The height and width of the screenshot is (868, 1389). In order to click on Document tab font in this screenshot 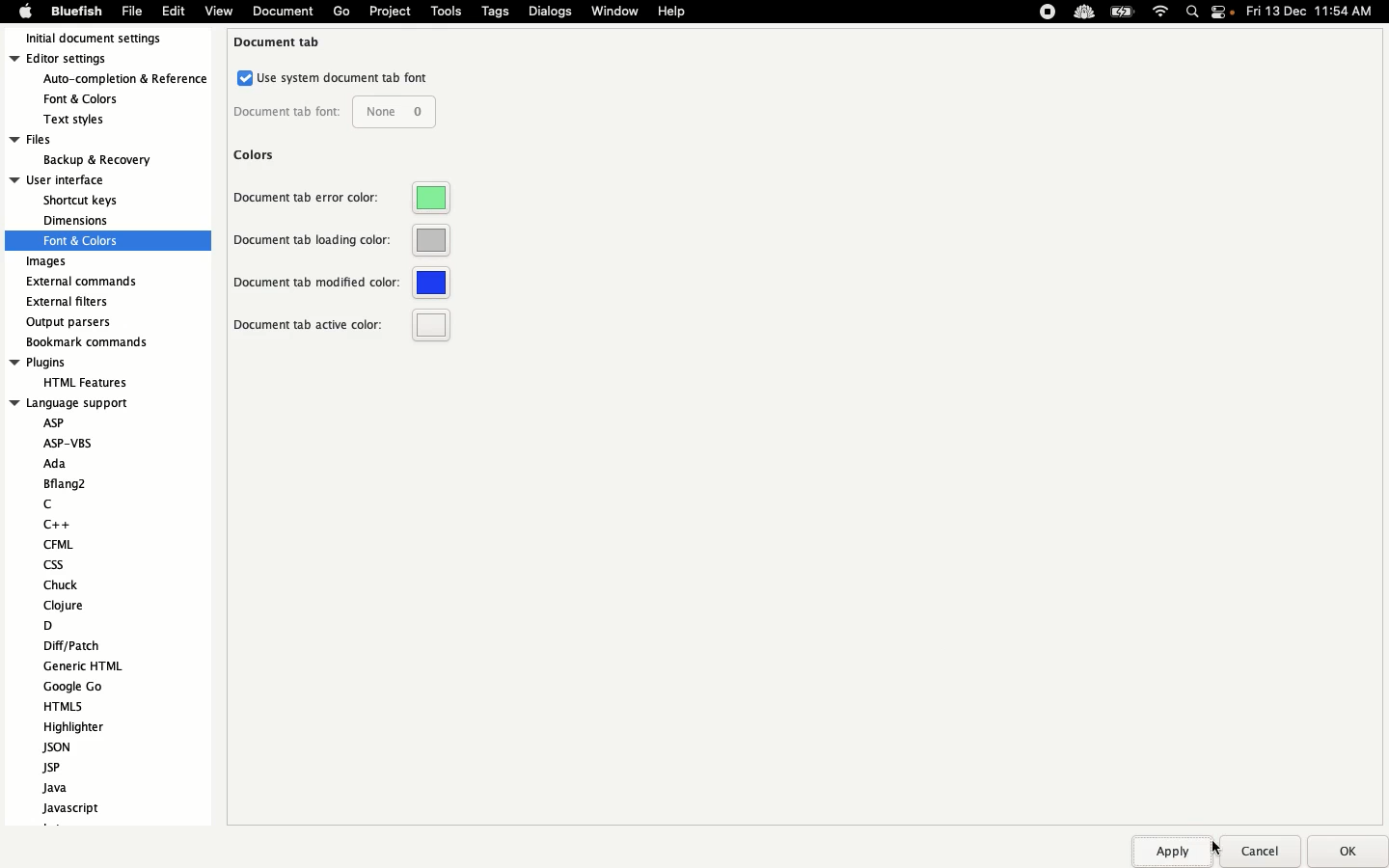, I will do `click(334, 113)`.